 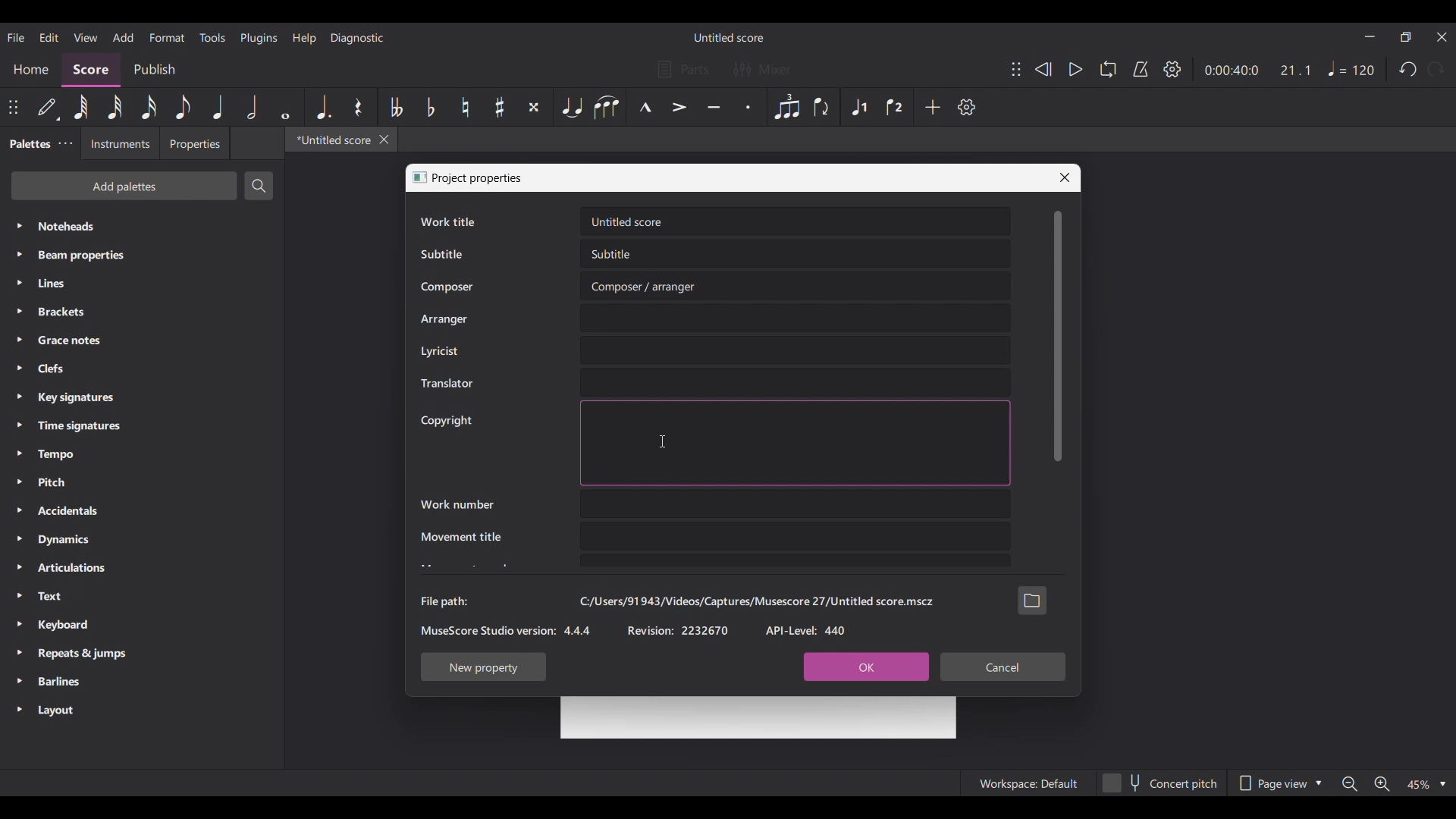 I want to click on File menu, so click(x=16, y=37).